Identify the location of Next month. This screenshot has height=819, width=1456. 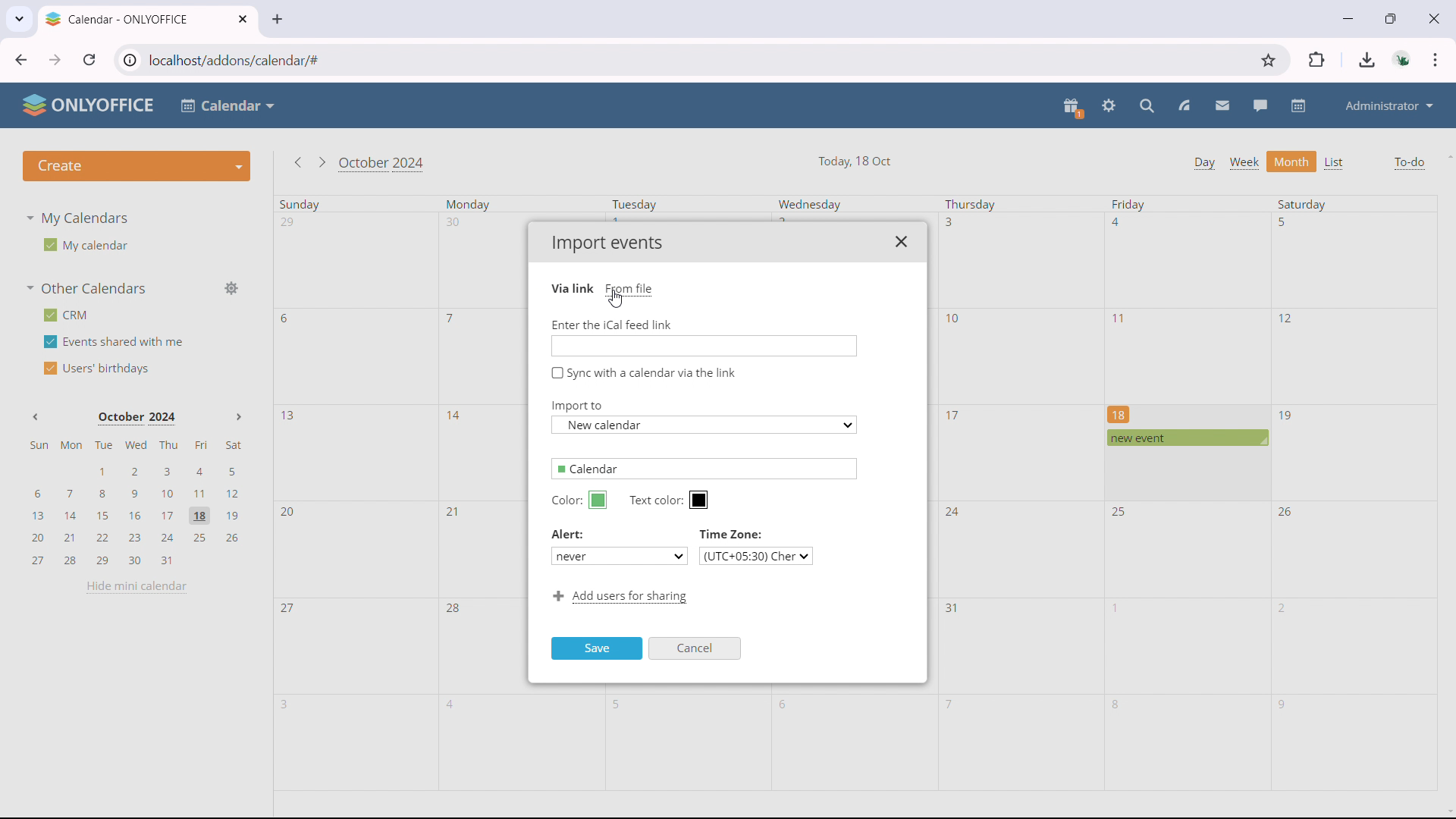
(238, 417).